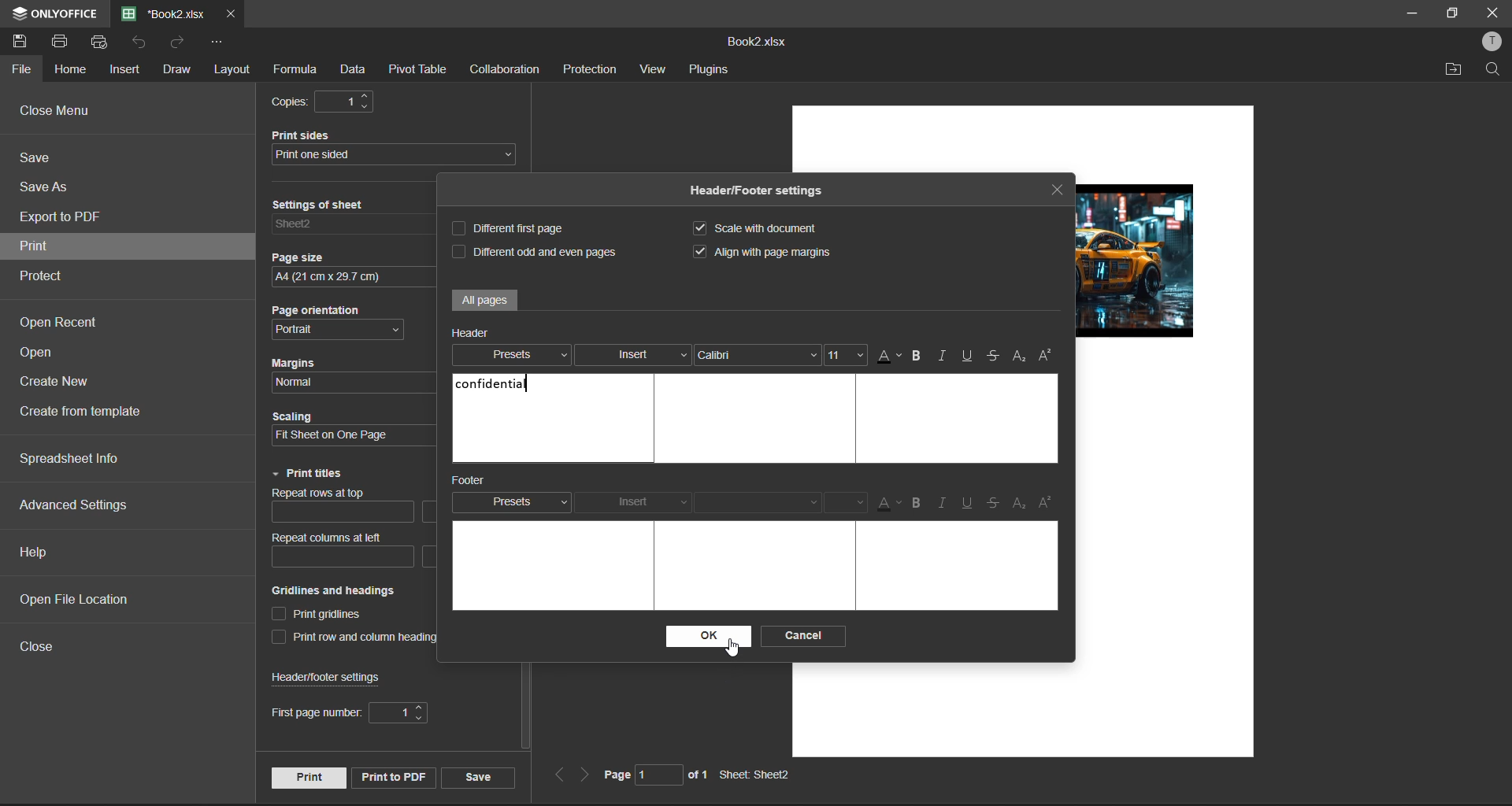 The height and width of the screenshot is (806, 1512). I want to click on page number, so click(654, 778).